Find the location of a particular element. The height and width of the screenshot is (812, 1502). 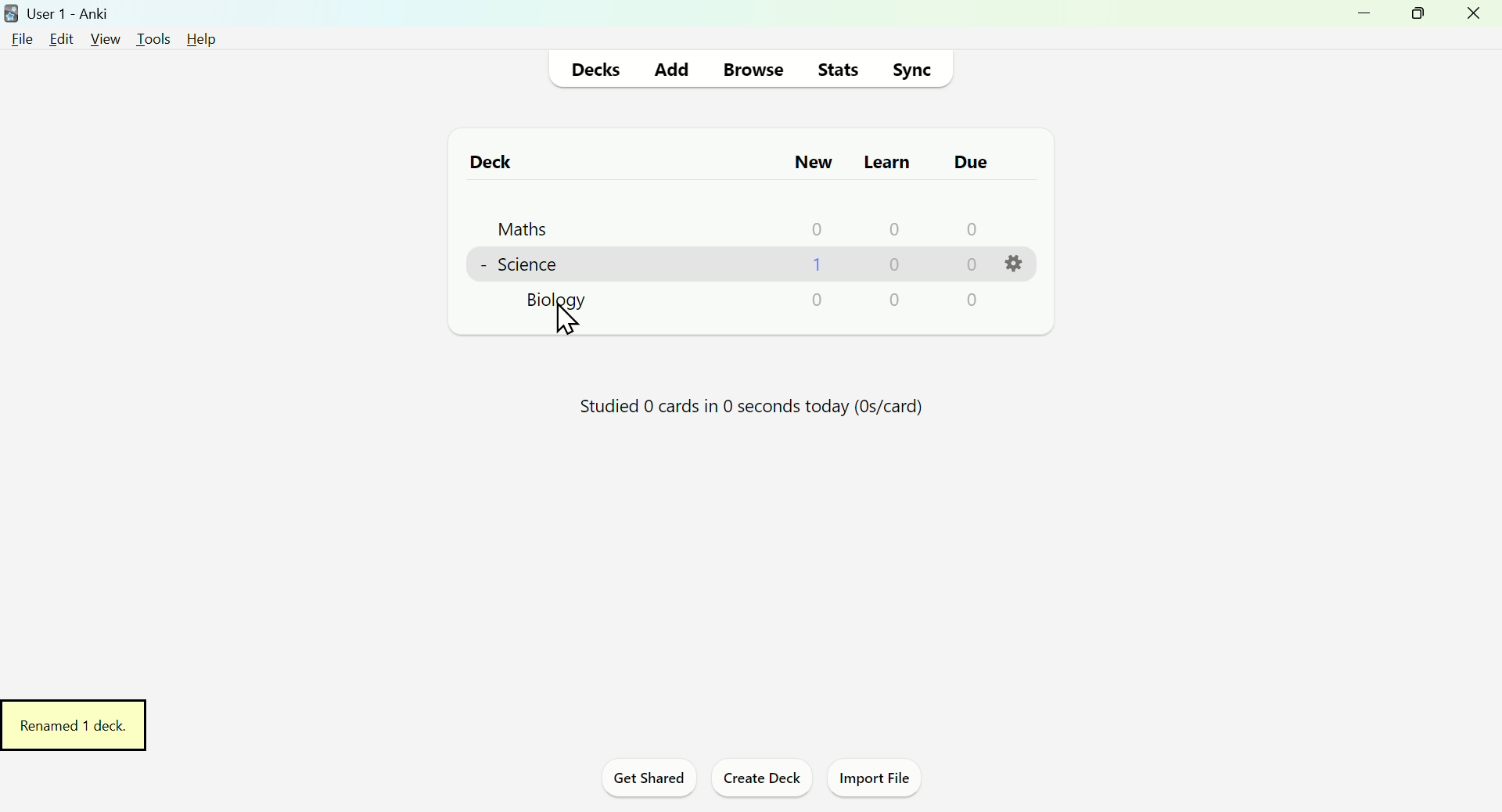

0 is located at coordinates (968, 265).